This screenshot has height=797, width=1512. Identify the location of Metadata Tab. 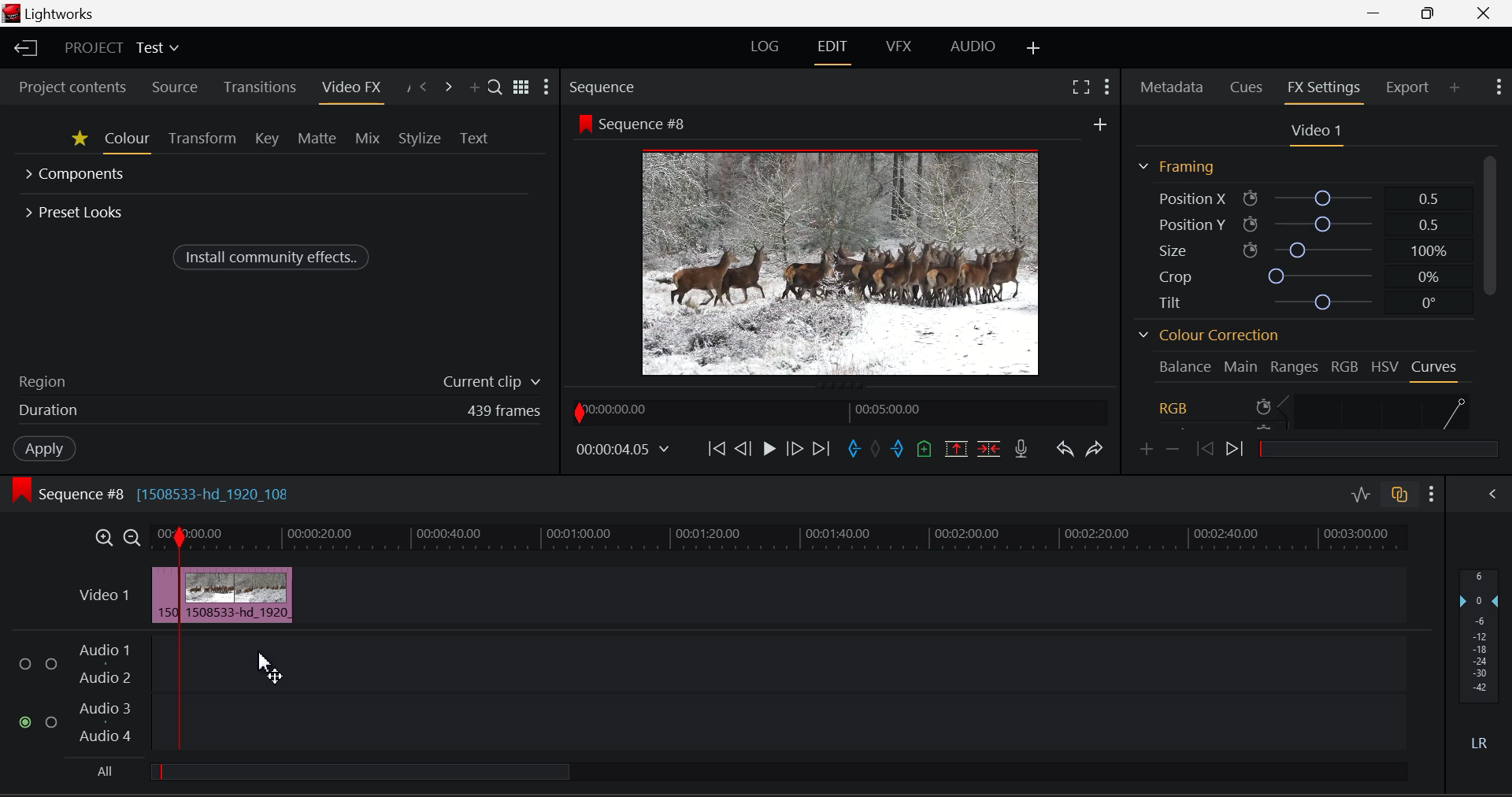
(1171, 89).